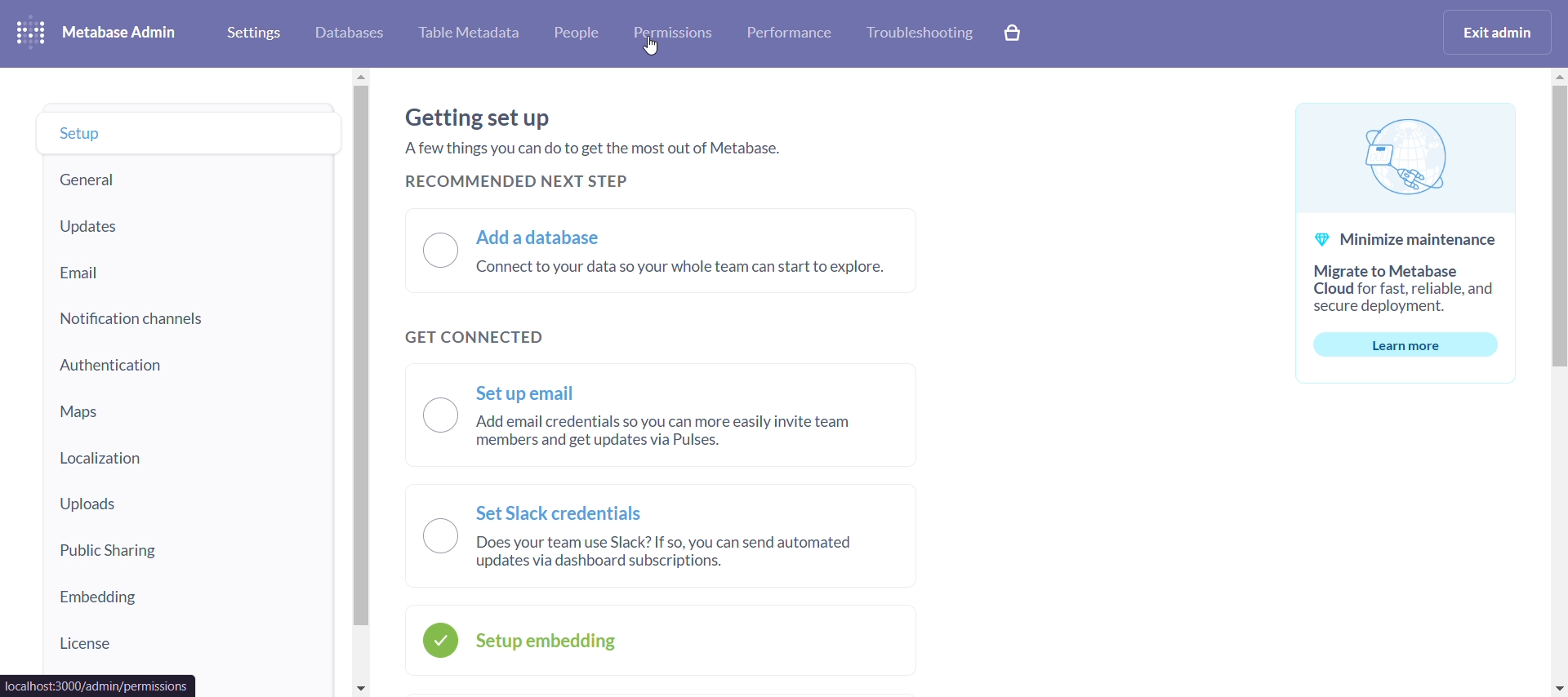  I want to click on permissions, so click(681, 33).